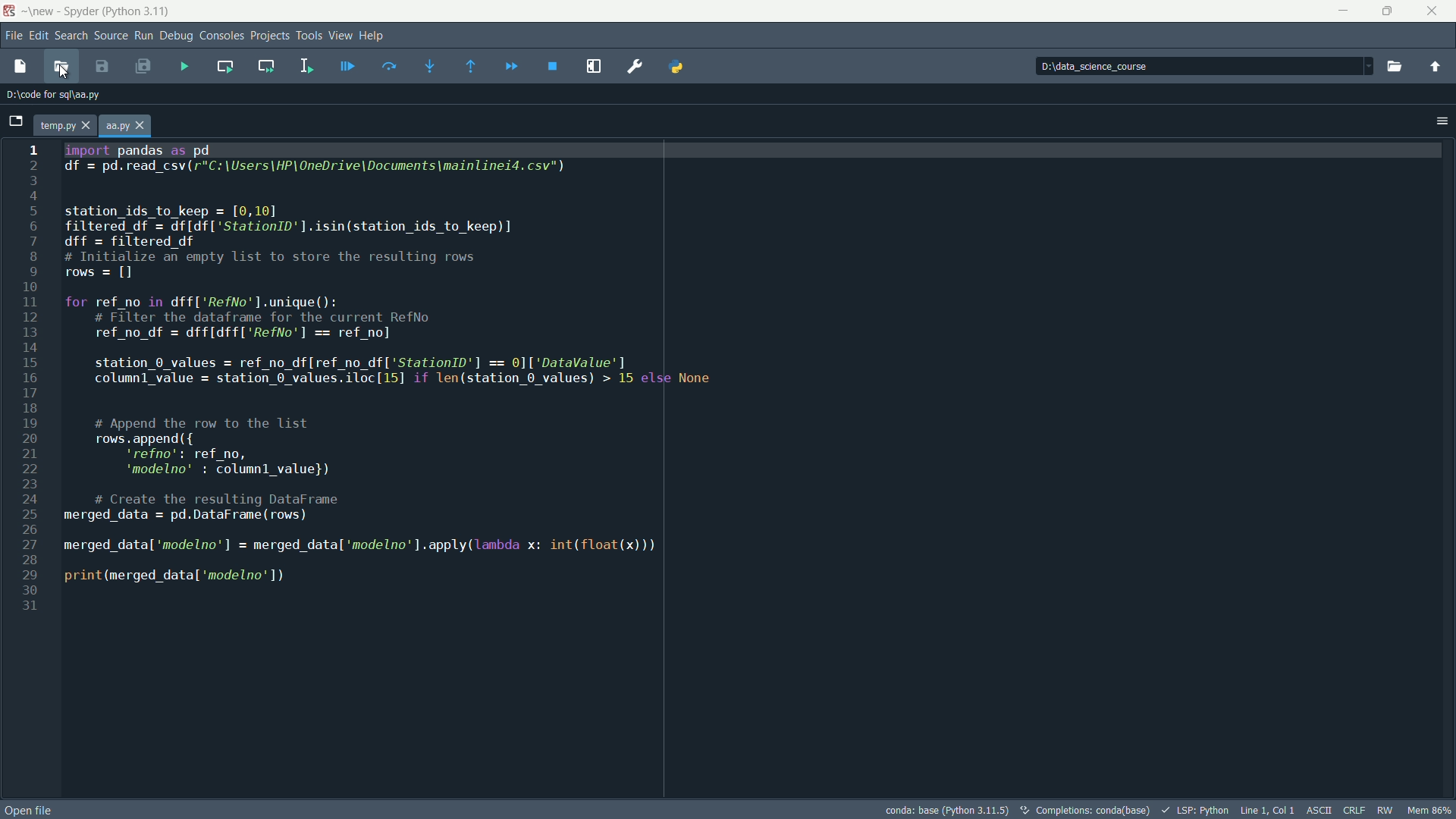  What do you see at coordinates (1392, 67) in the screenshot?
I see `Browse a working directory` at bounding box center [1392, 67].